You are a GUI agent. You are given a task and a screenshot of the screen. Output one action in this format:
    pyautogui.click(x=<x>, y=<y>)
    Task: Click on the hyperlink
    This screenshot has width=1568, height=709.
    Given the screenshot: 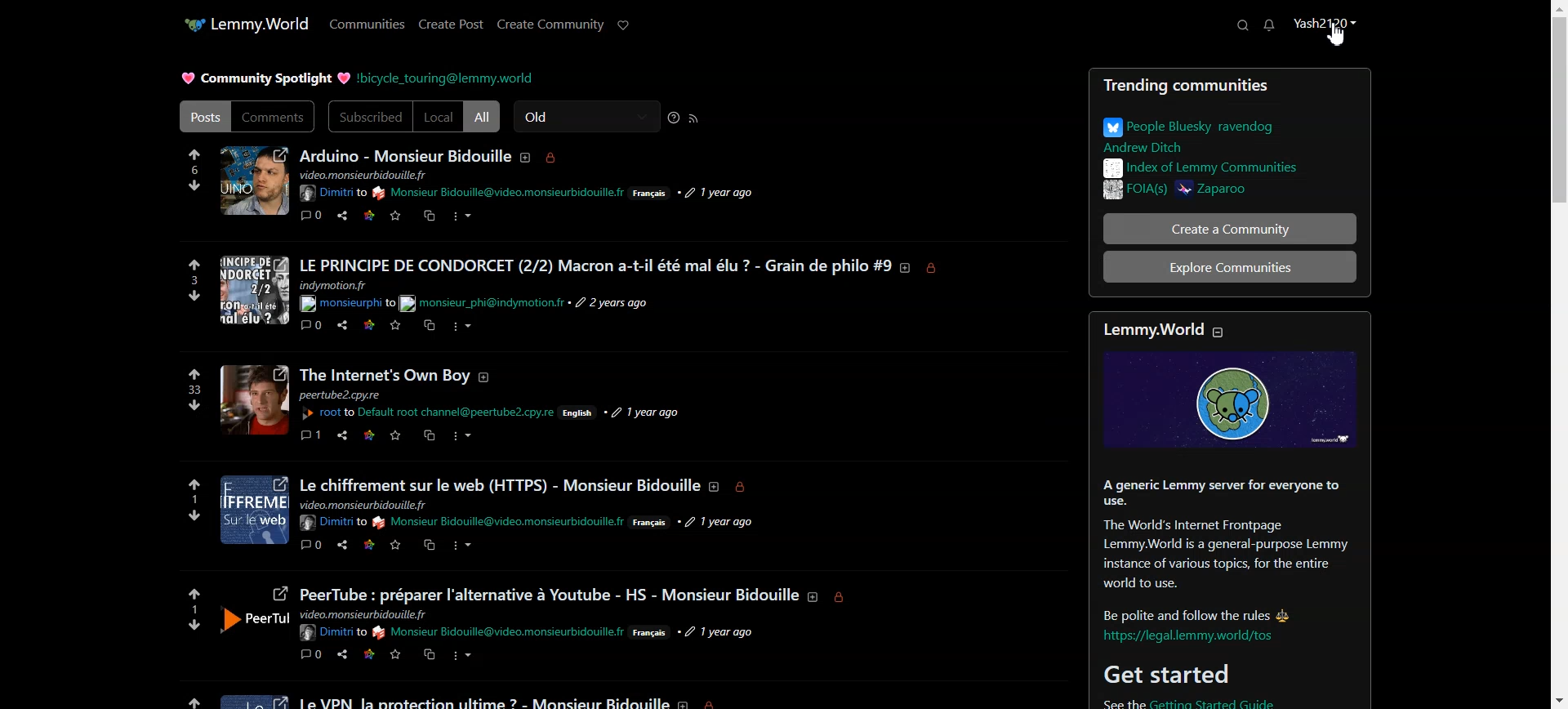 What is the action you would take?
    pyautogui.click(x=458, y=412)
    